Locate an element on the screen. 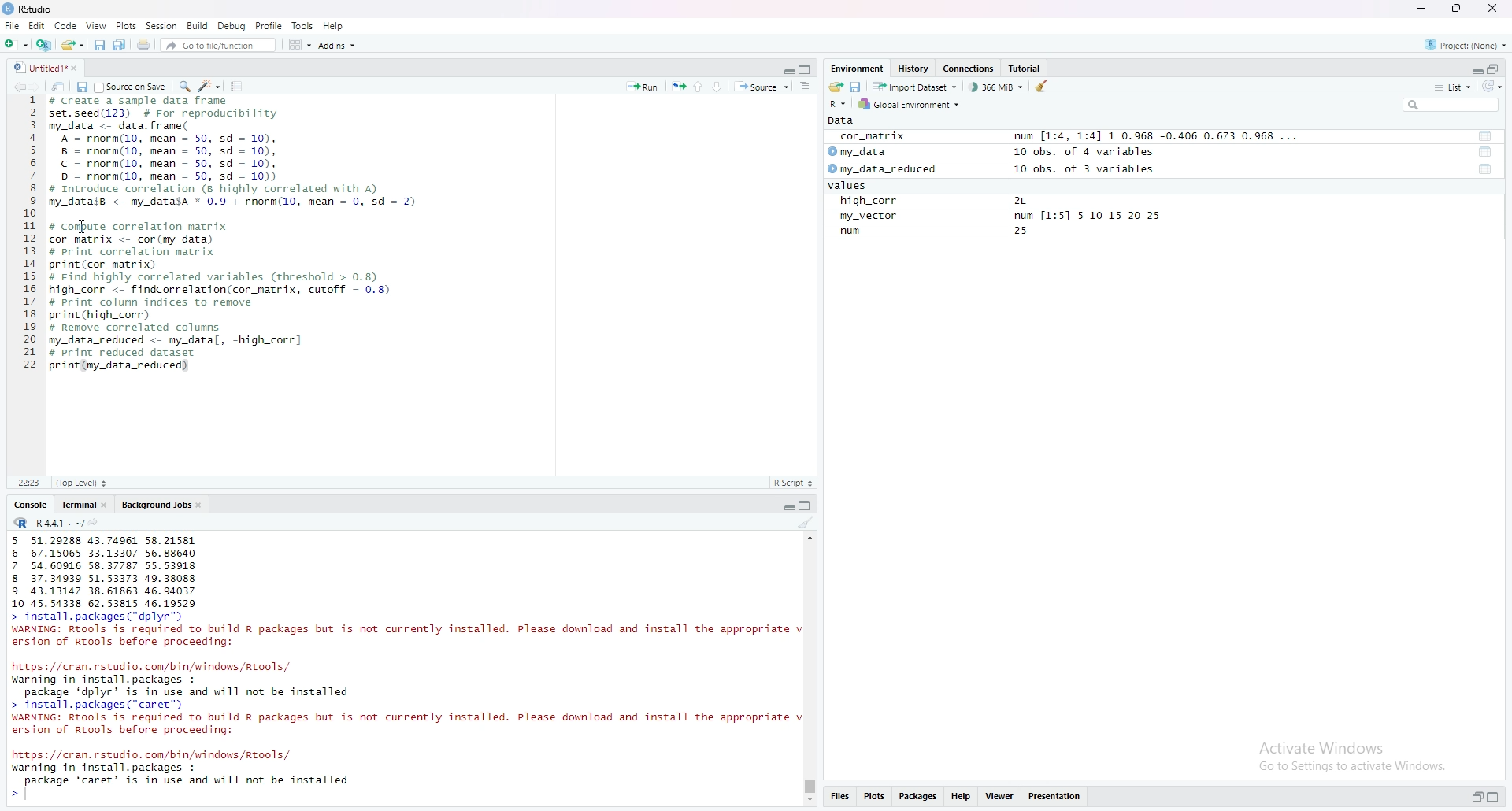 This screenshot has height=811, width=1512. edit is located at coordinates (210, 85).